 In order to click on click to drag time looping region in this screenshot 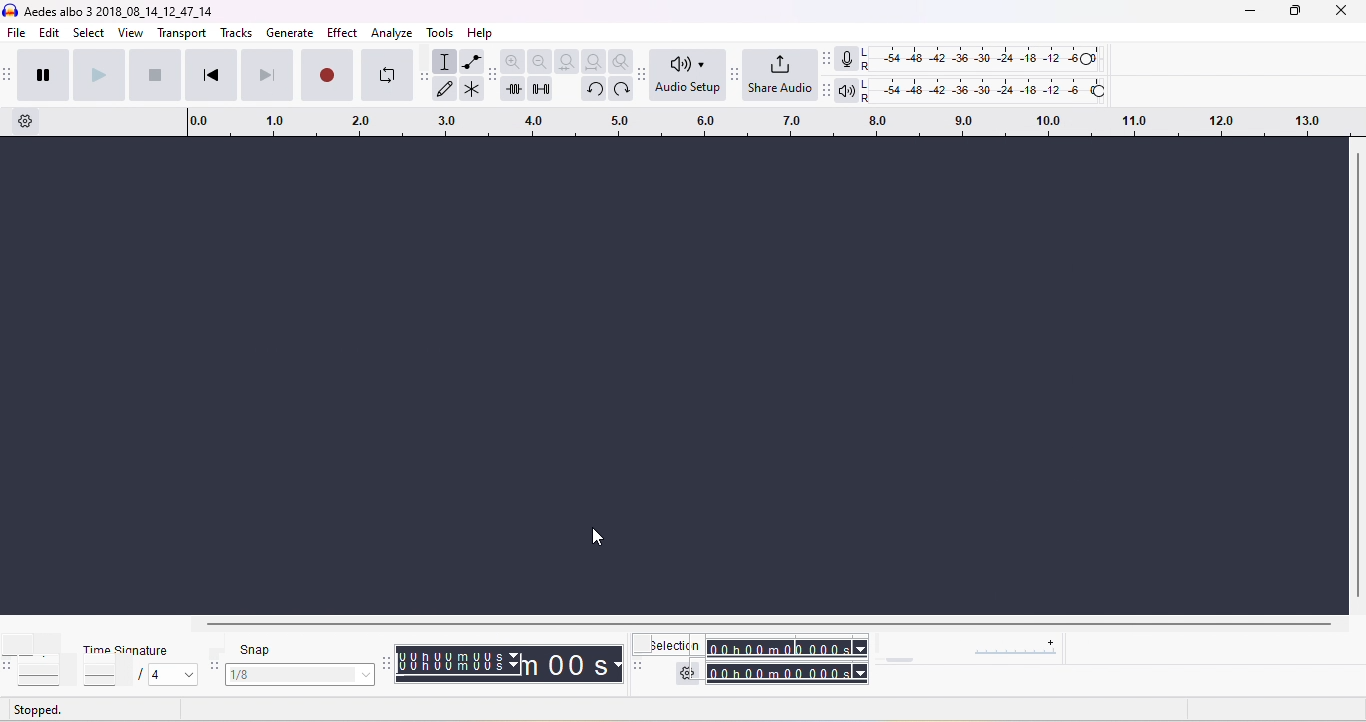, I will do `click(772, 121)`.